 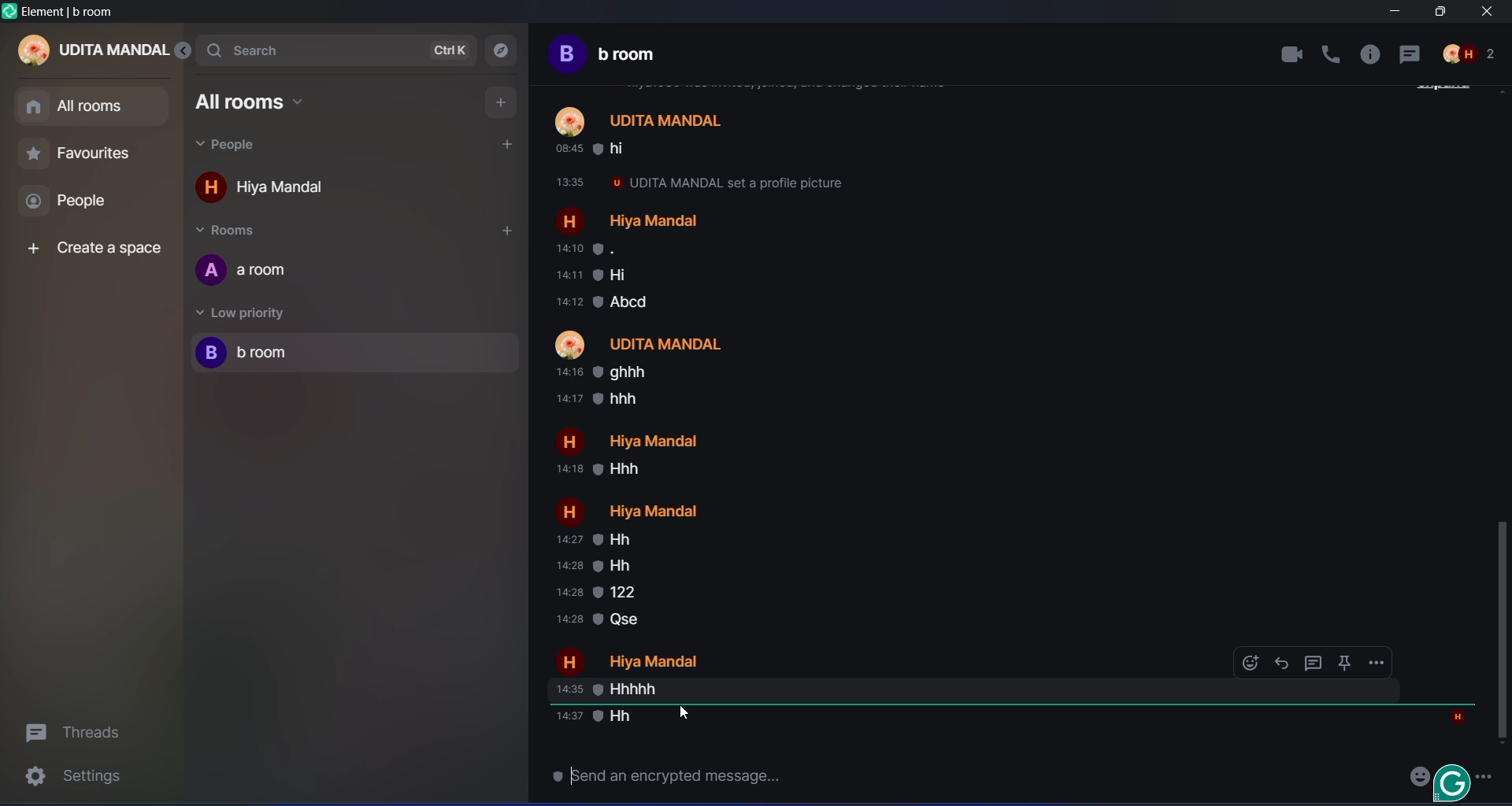 What do you see at coordinates (242, 314) in the screenshot?
I see `low priority` at bounding box center [242, 314].